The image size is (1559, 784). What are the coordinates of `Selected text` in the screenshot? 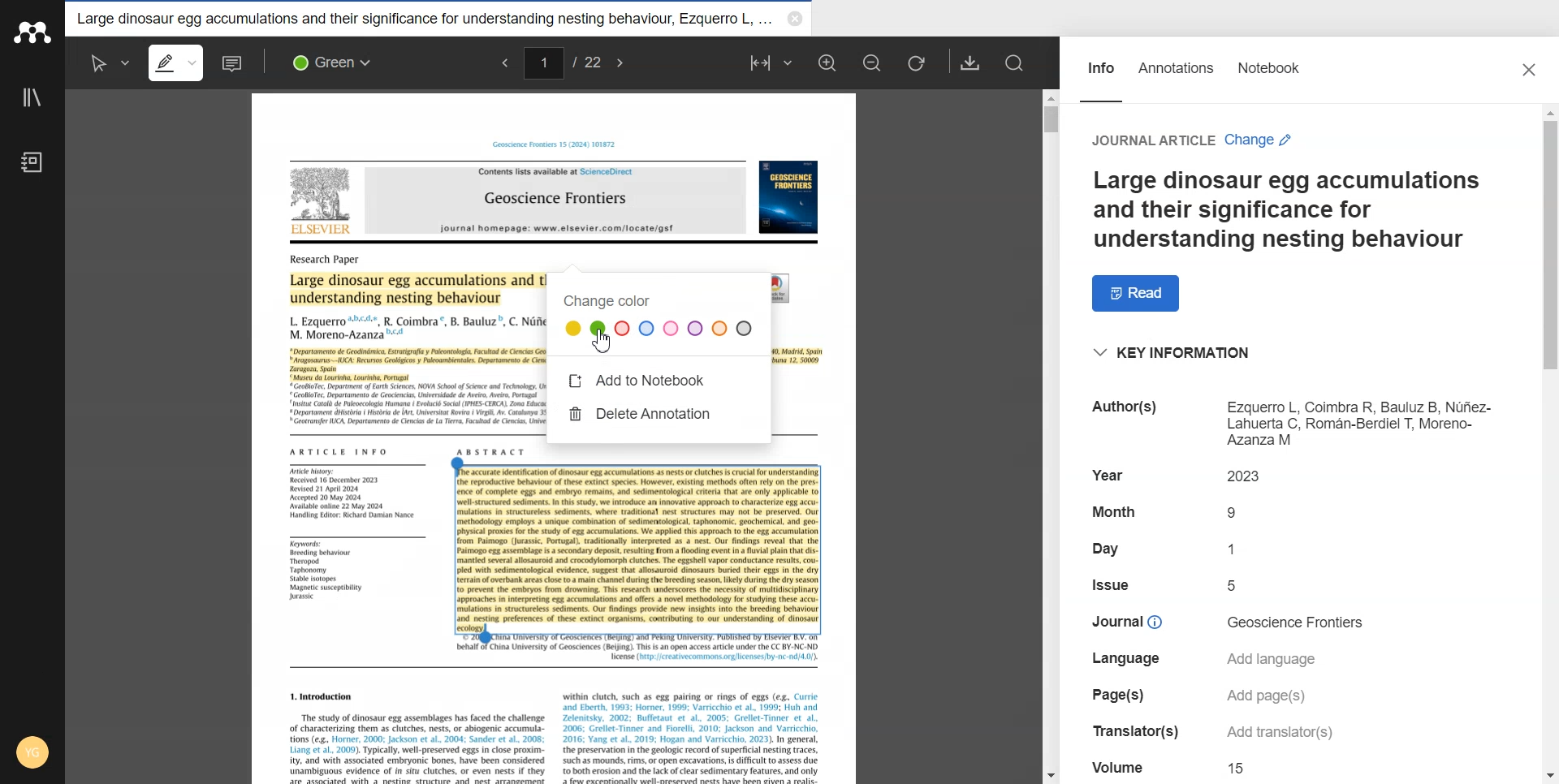 It's located at (638, 546).